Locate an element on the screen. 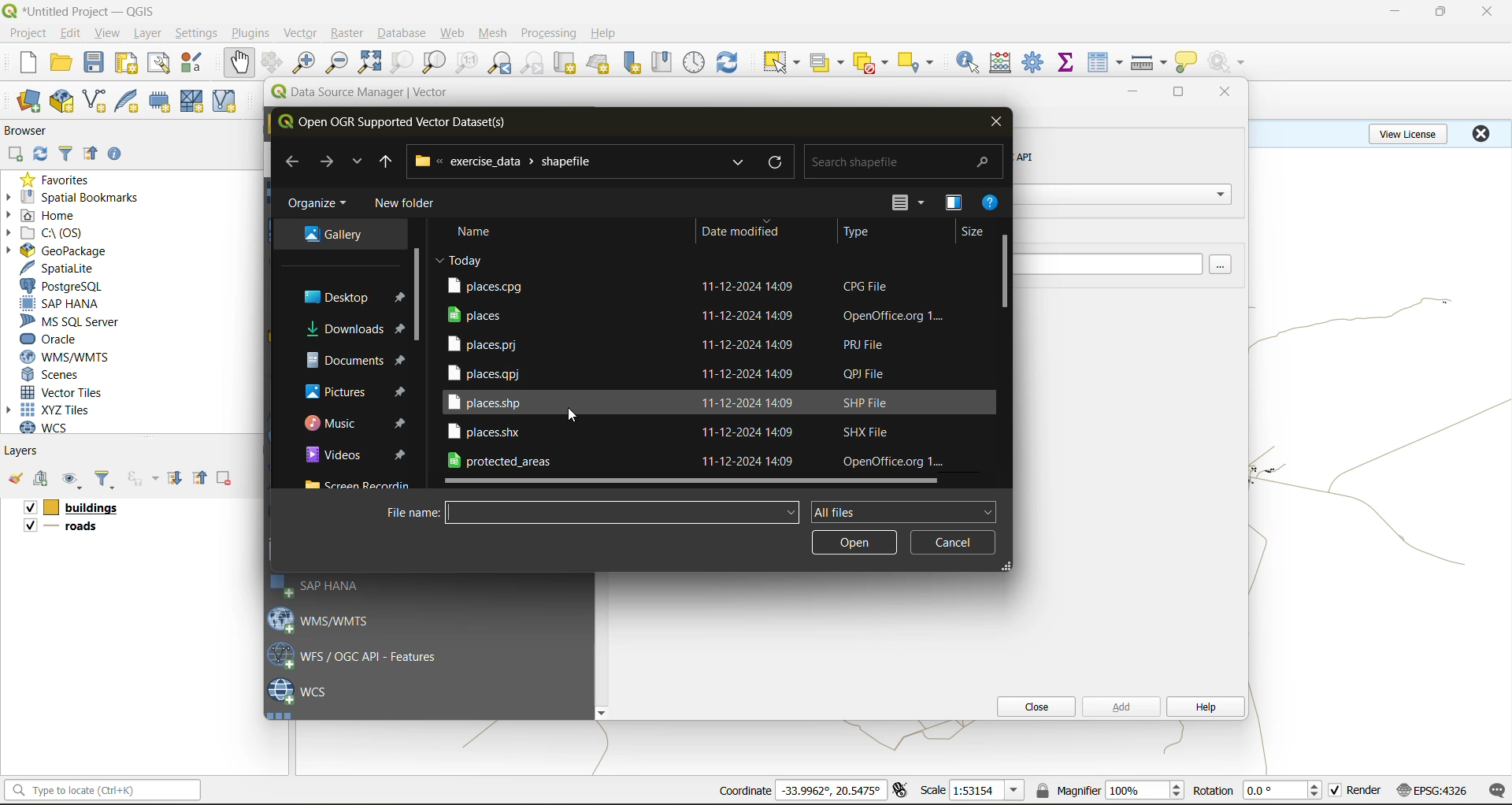 The height and width of the screenshot is (805, 1512). no action is located at coordinates (1229, 62).